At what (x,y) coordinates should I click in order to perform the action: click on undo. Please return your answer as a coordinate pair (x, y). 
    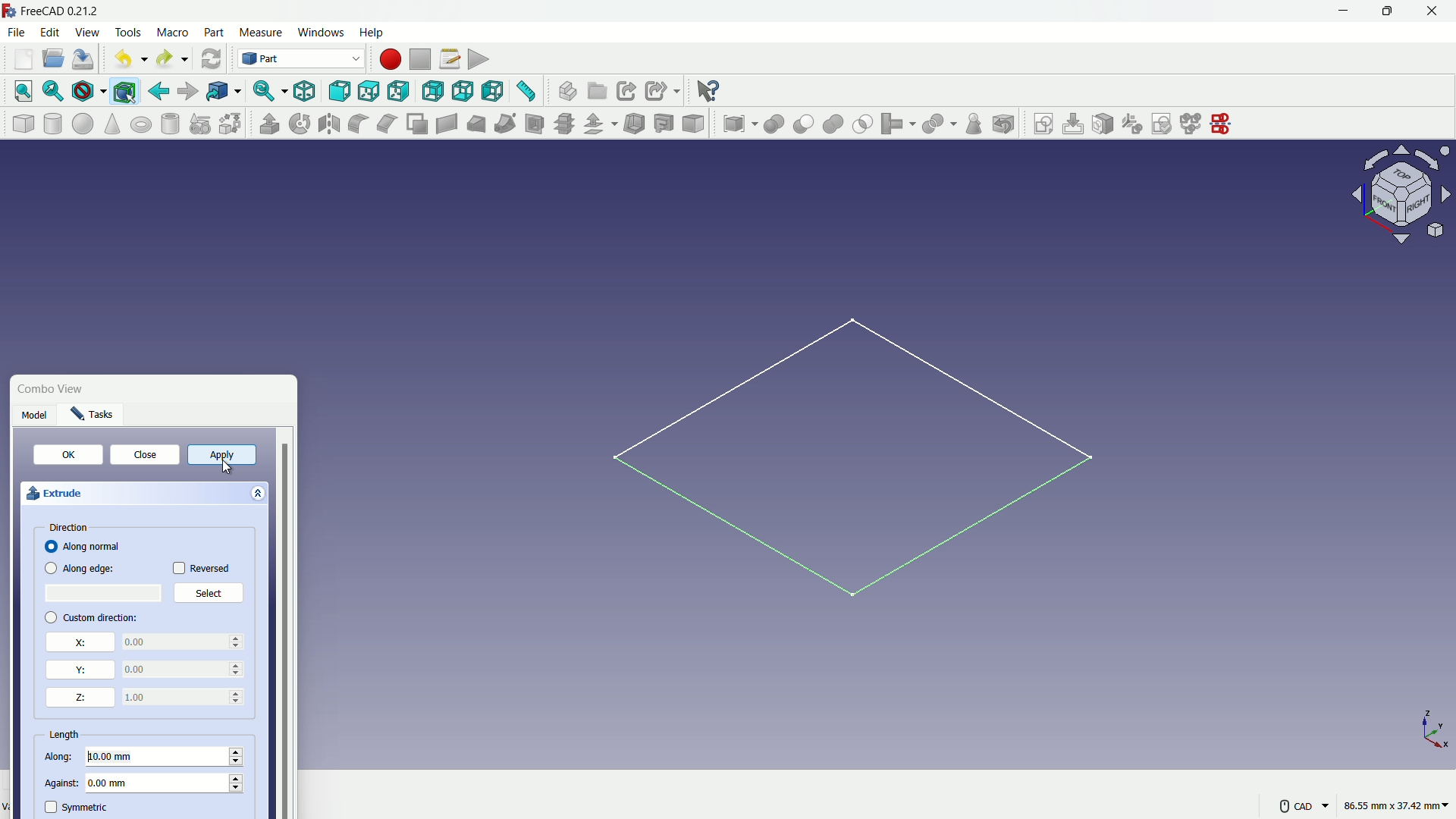
    Looking at the image, I should click on (133, 59).